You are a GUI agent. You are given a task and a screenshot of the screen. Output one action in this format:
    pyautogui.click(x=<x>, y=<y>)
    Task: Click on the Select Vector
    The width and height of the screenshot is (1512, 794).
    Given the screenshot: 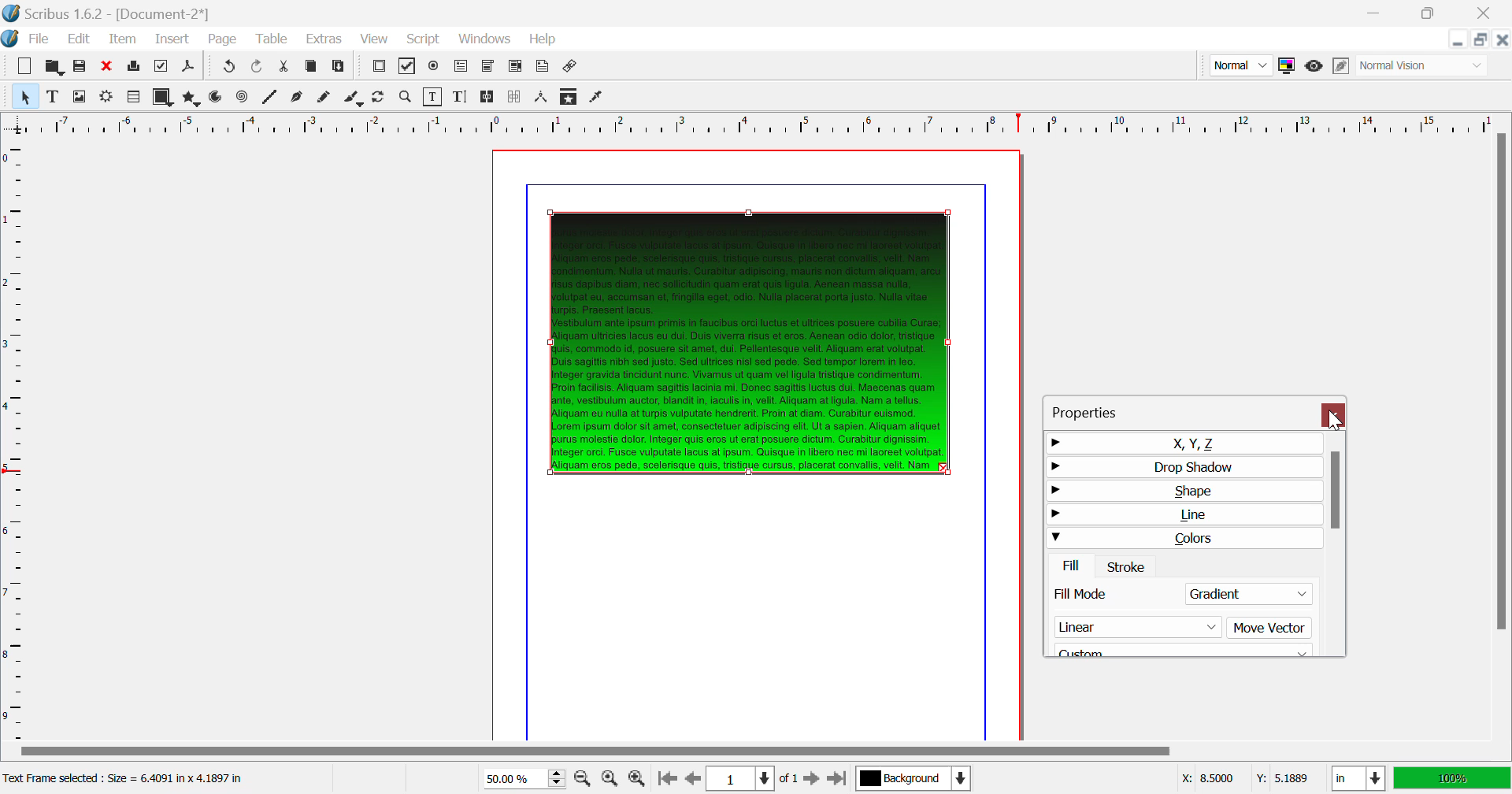 What is the action you would take?
    pyautogui.click(x=1178, y=627)
    